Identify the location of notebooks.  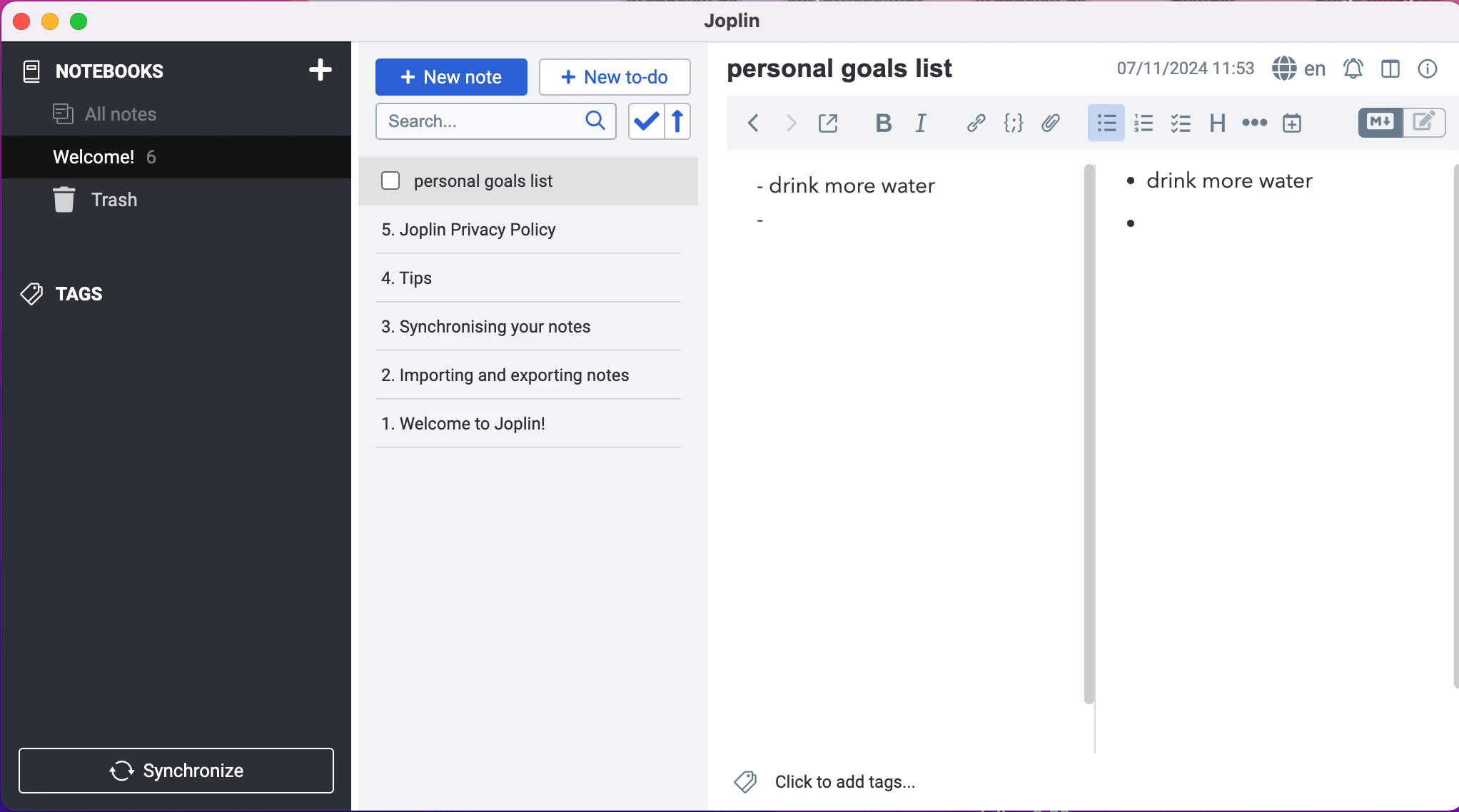
(141, 71).